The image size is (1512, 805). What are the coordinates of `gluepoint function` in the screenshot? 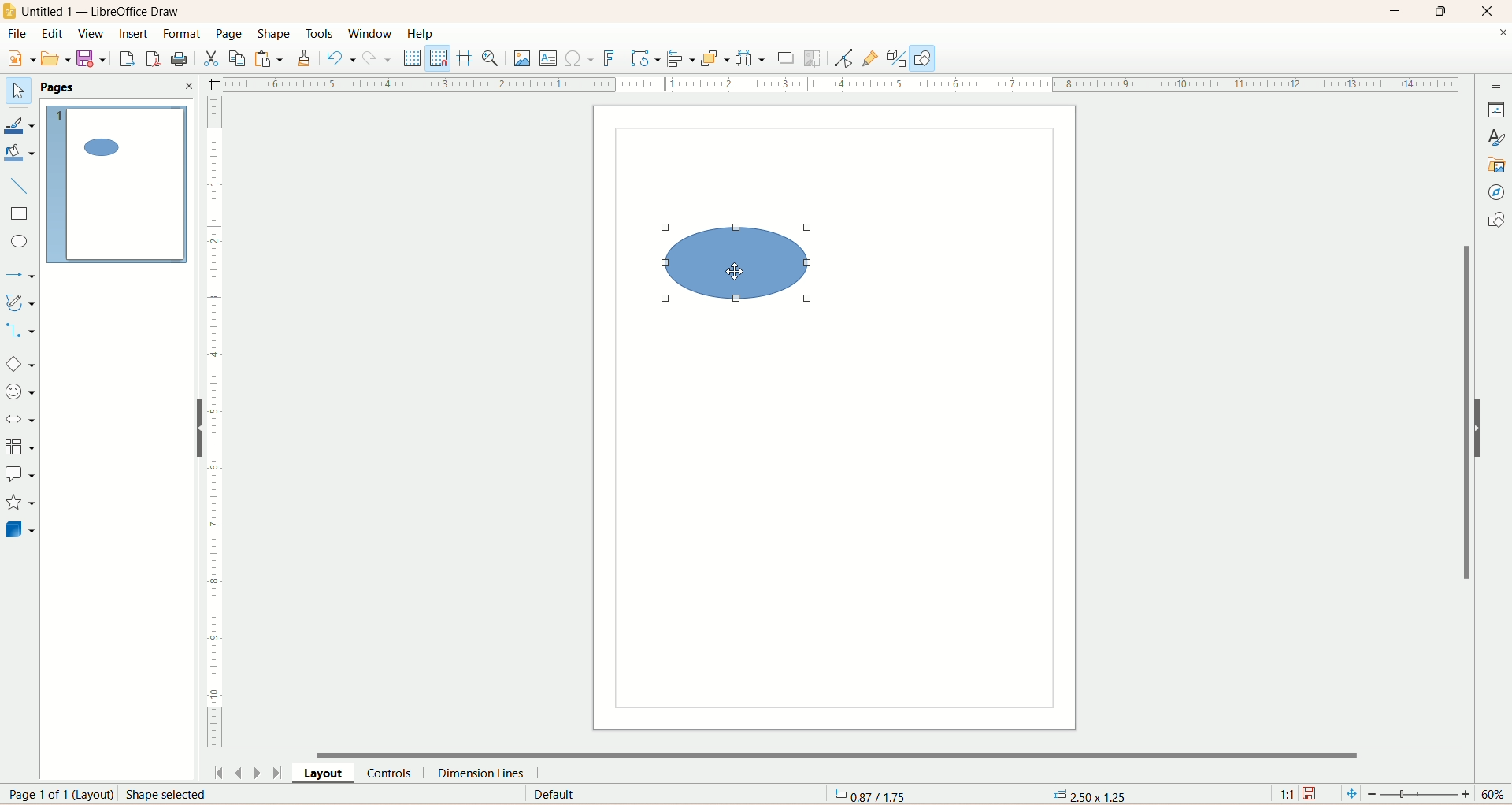 It's located at (873, 58).